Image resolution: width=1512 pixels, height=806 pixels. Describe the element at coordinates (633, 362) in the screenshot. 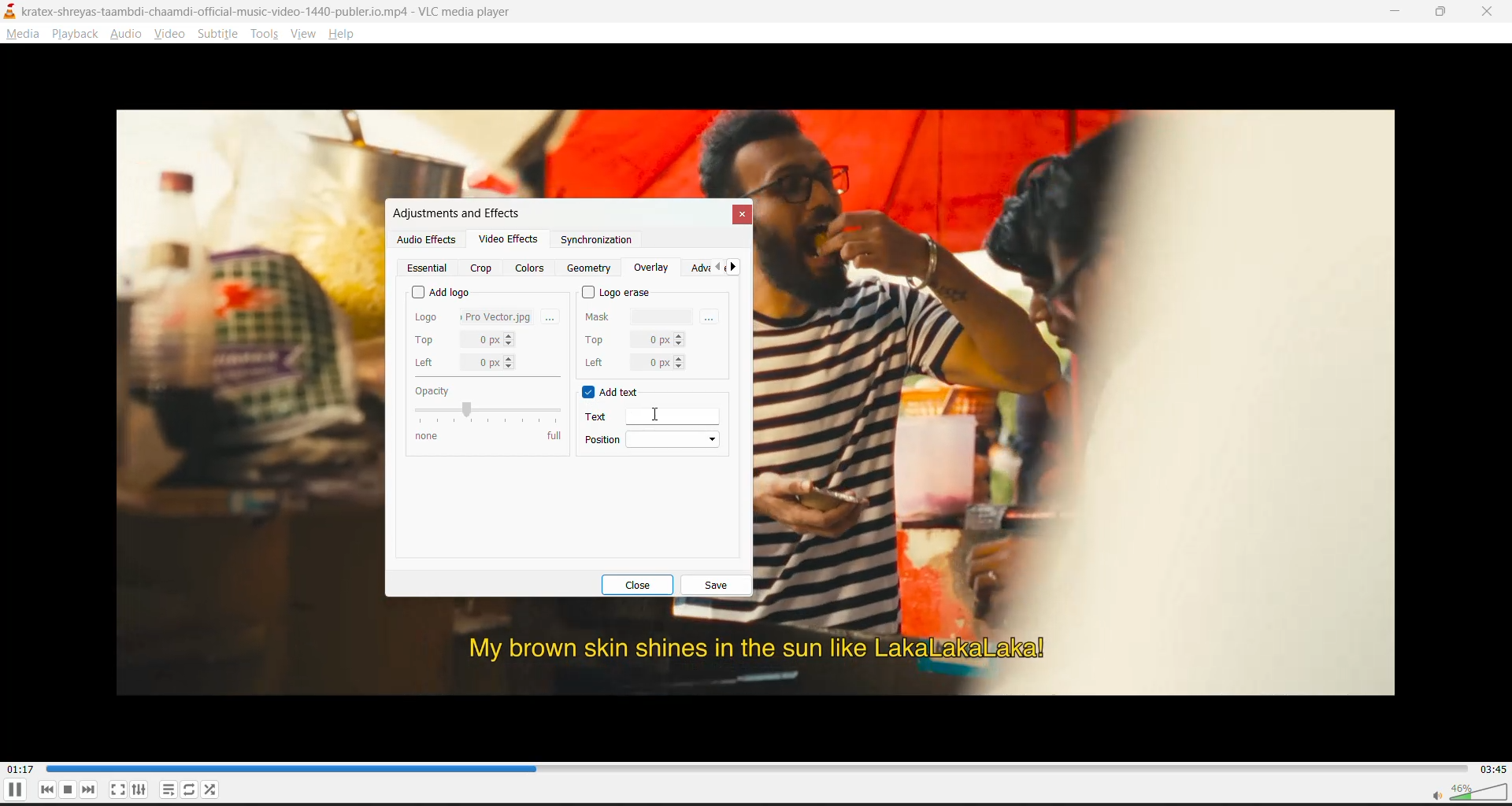

I see `left` at that location.